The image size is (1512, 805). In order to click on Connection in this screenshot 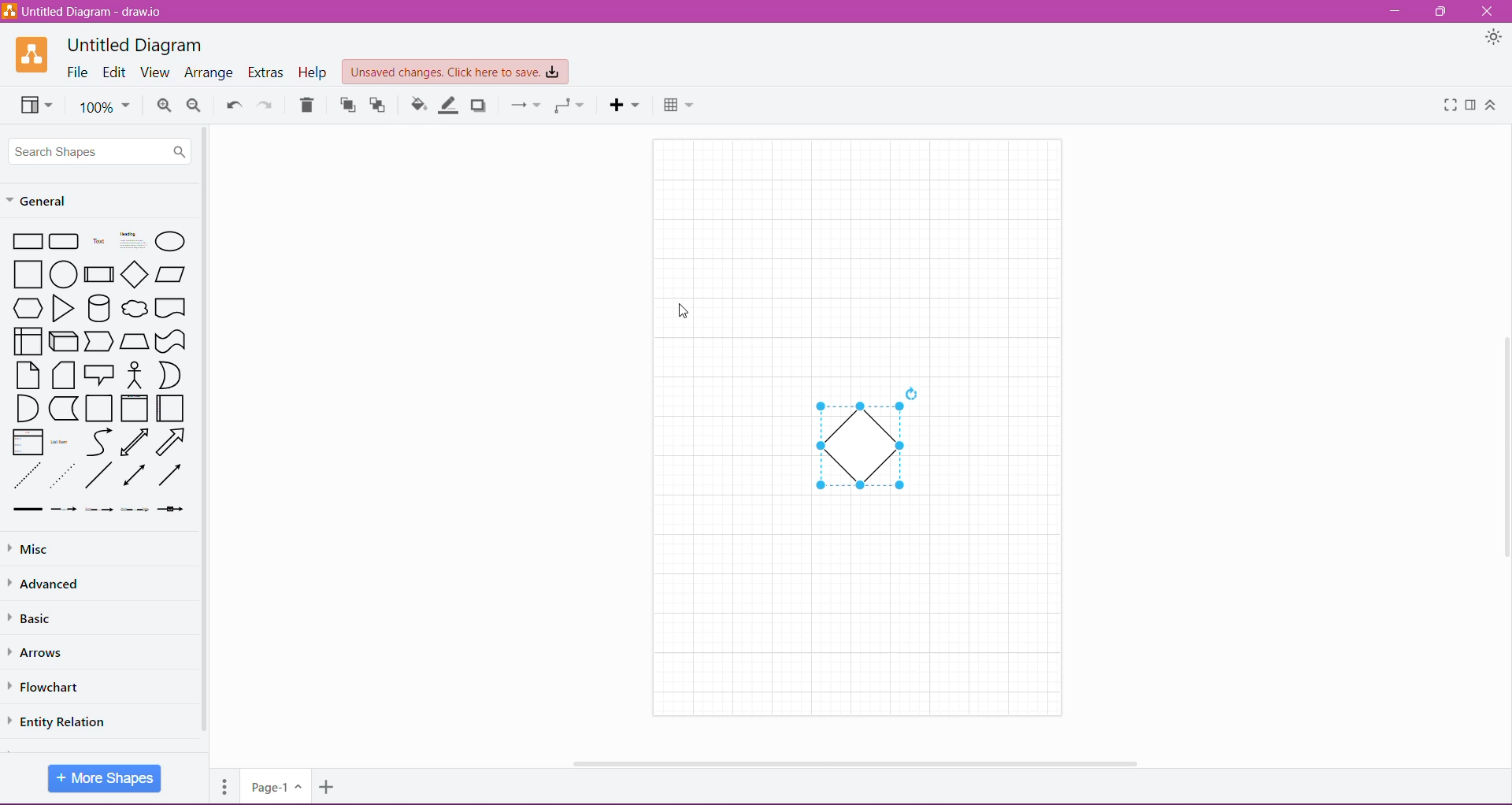, I will do `click(527, 105)`.